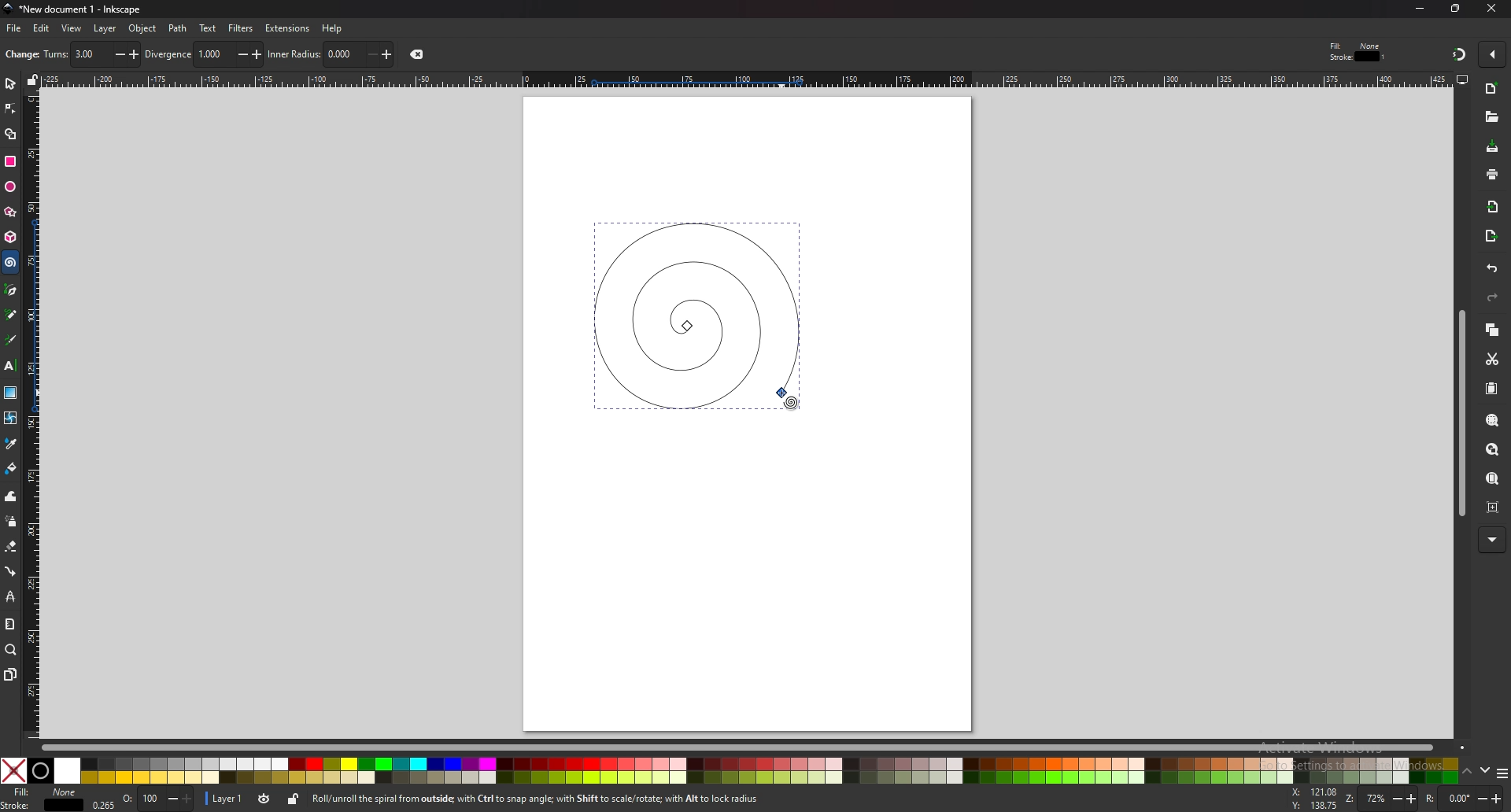 This screenshot has width=1511, height=812. Describe the element at coordinates (1492, 89) in the screenshot. I see `new` at that location.